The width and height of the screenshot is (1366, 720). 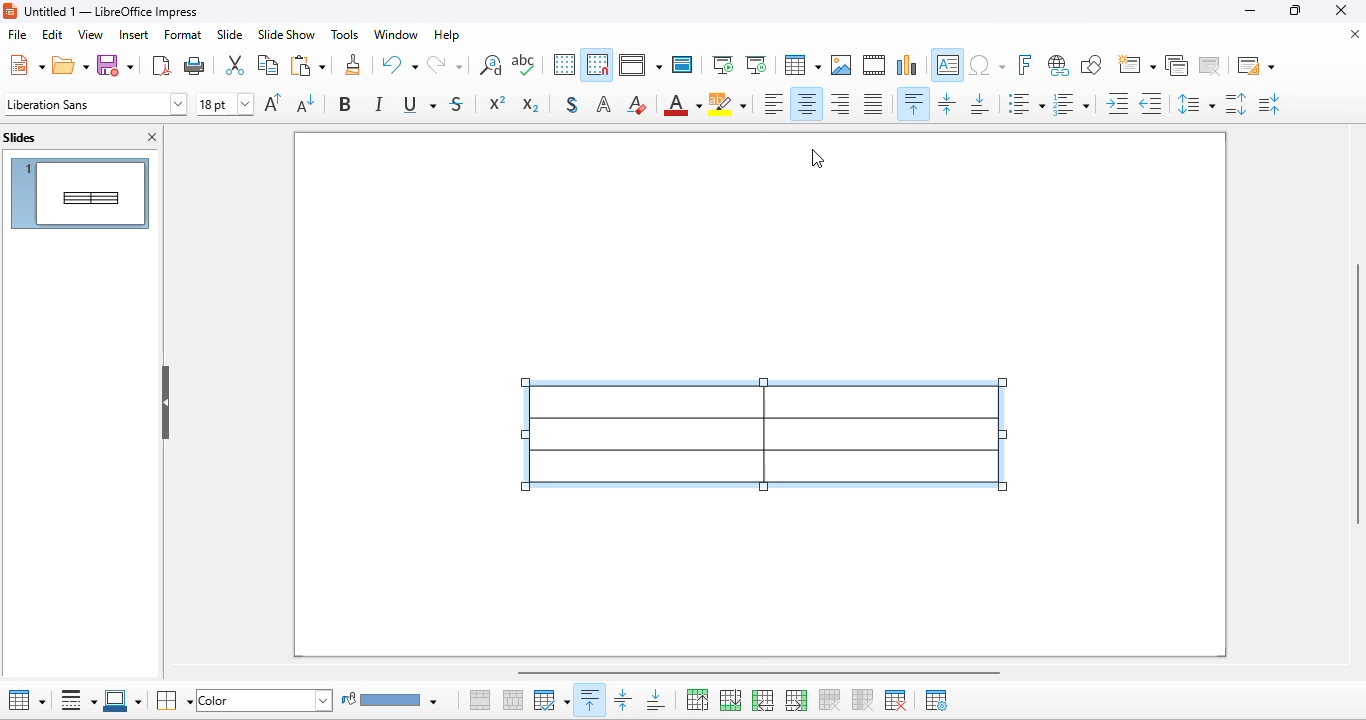 I want to click on insert row above, so click(x=698, y=699).